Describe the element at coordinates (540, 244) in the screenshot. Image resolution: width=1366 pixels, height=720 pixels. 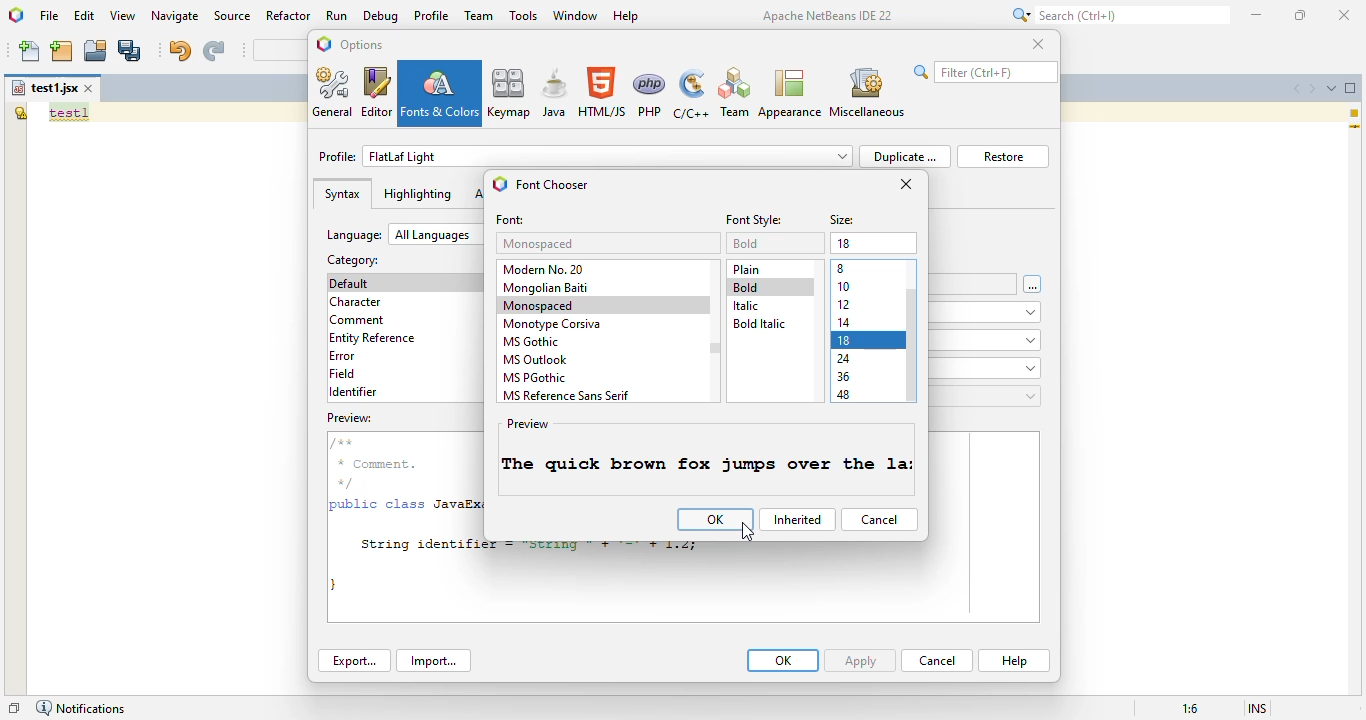
I see `monospaced` at that location.